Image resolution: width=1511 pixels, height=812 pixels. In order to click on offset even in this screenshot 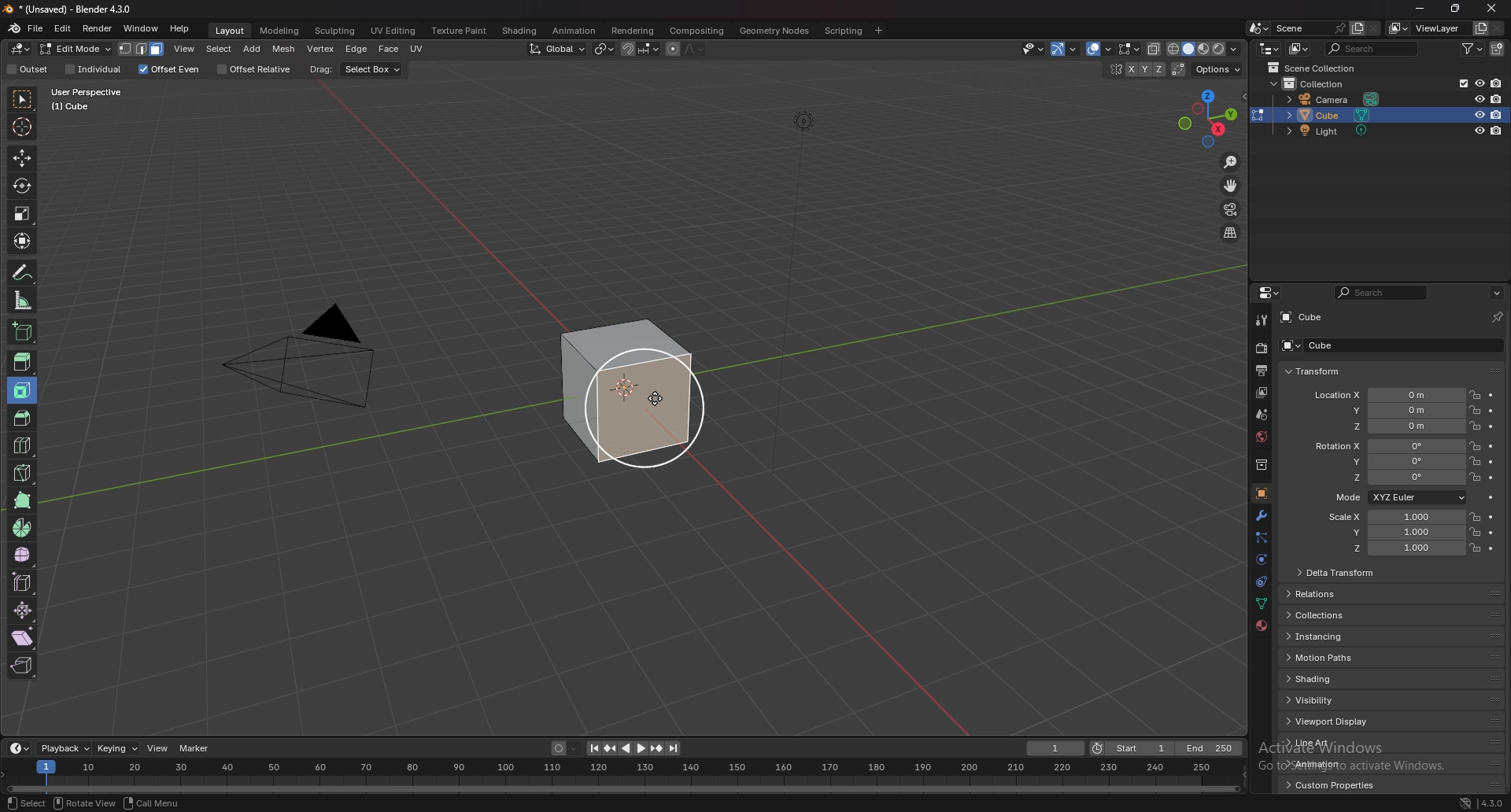, I will do `click(169, 70)`.